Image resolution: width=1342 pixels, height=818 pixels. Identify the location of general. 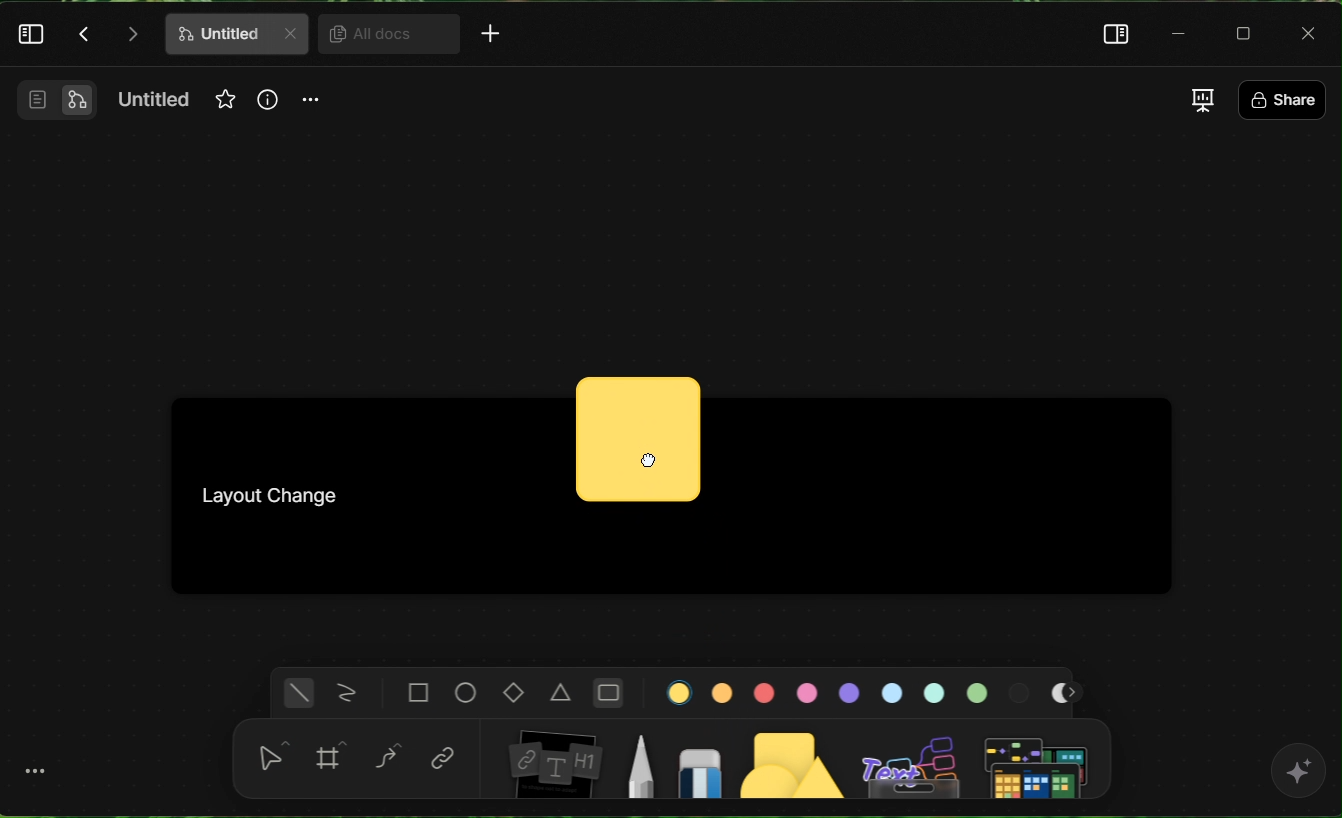
(296, 694).